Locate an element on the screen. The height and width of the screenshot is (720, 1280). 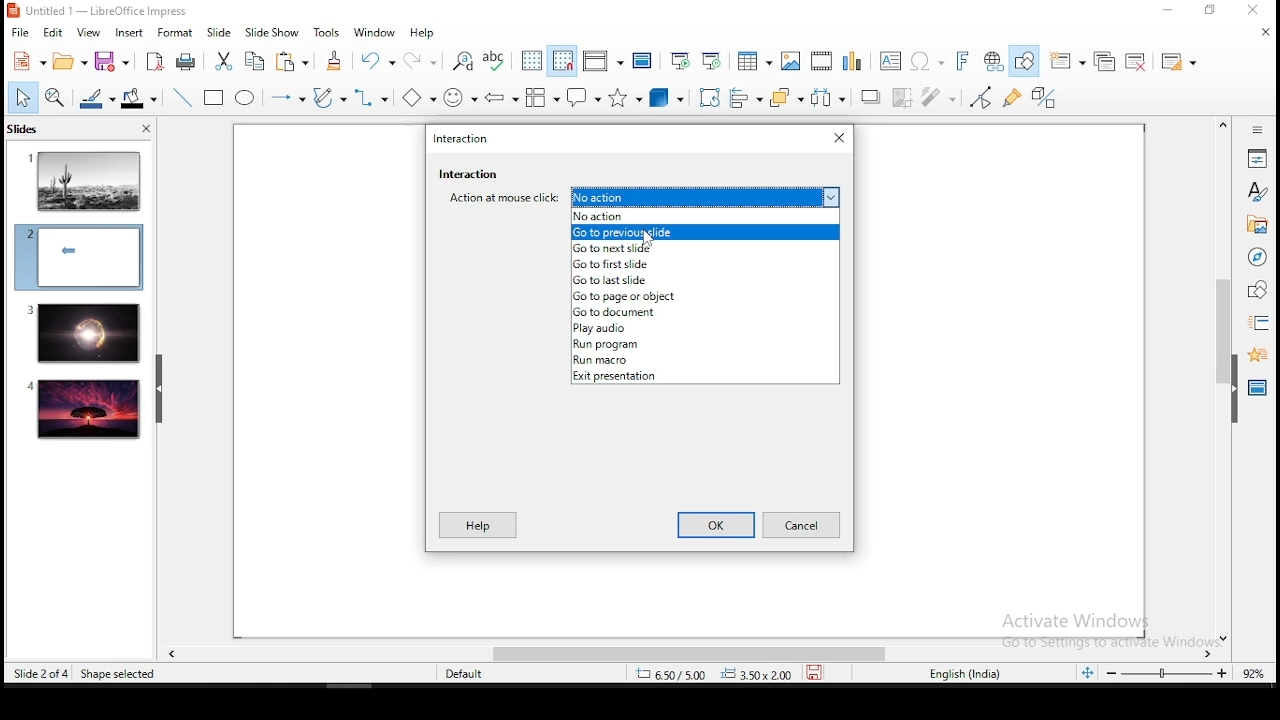
display views is located at coordinates (602, 61).